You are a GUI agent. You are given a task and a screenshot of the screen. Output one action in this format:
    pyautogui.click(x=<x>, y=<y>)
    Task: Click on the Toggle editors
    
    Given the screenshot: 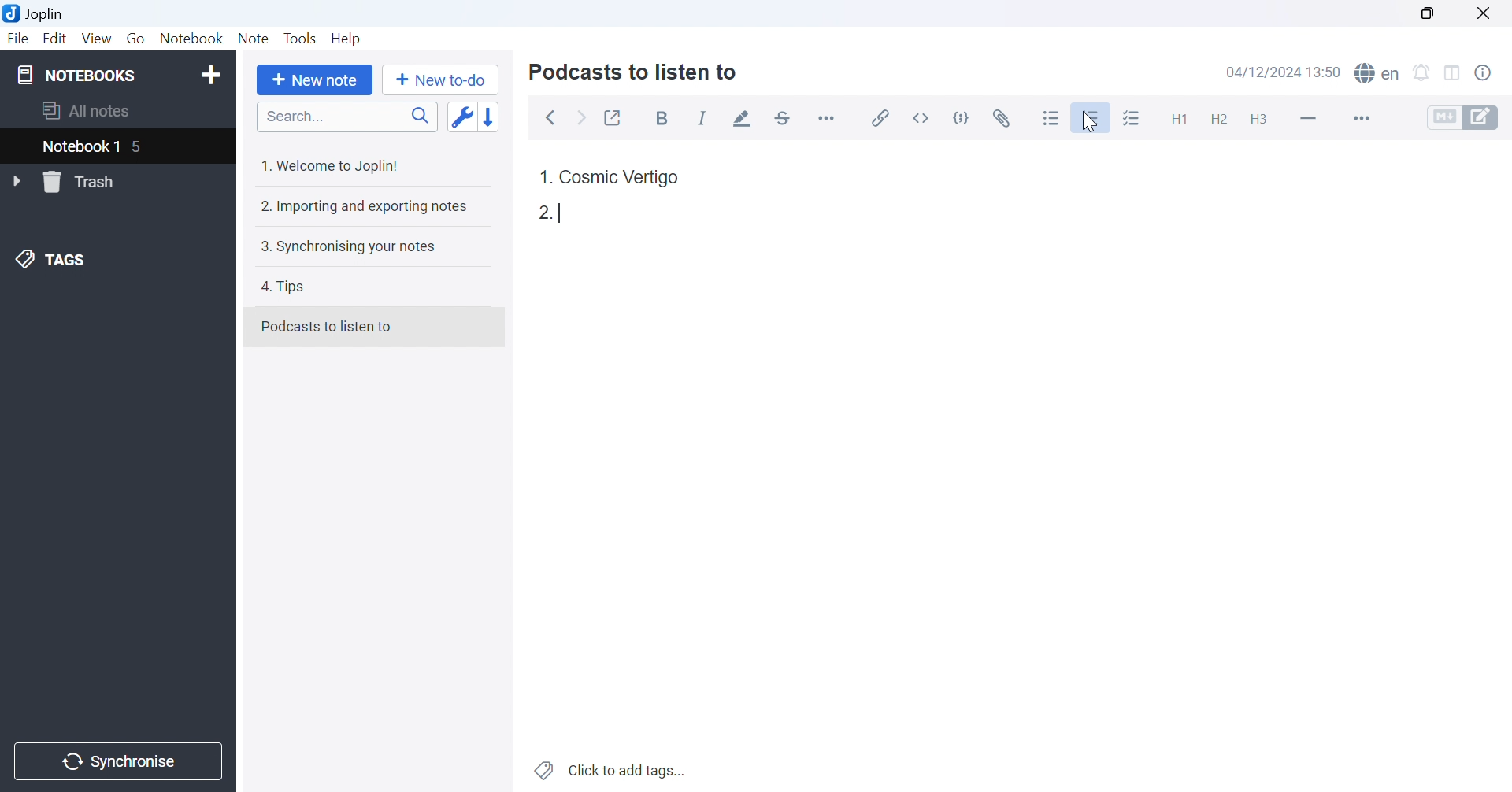 What is the action you would take?
    pyautogui.click(x=1469, y=117)
    